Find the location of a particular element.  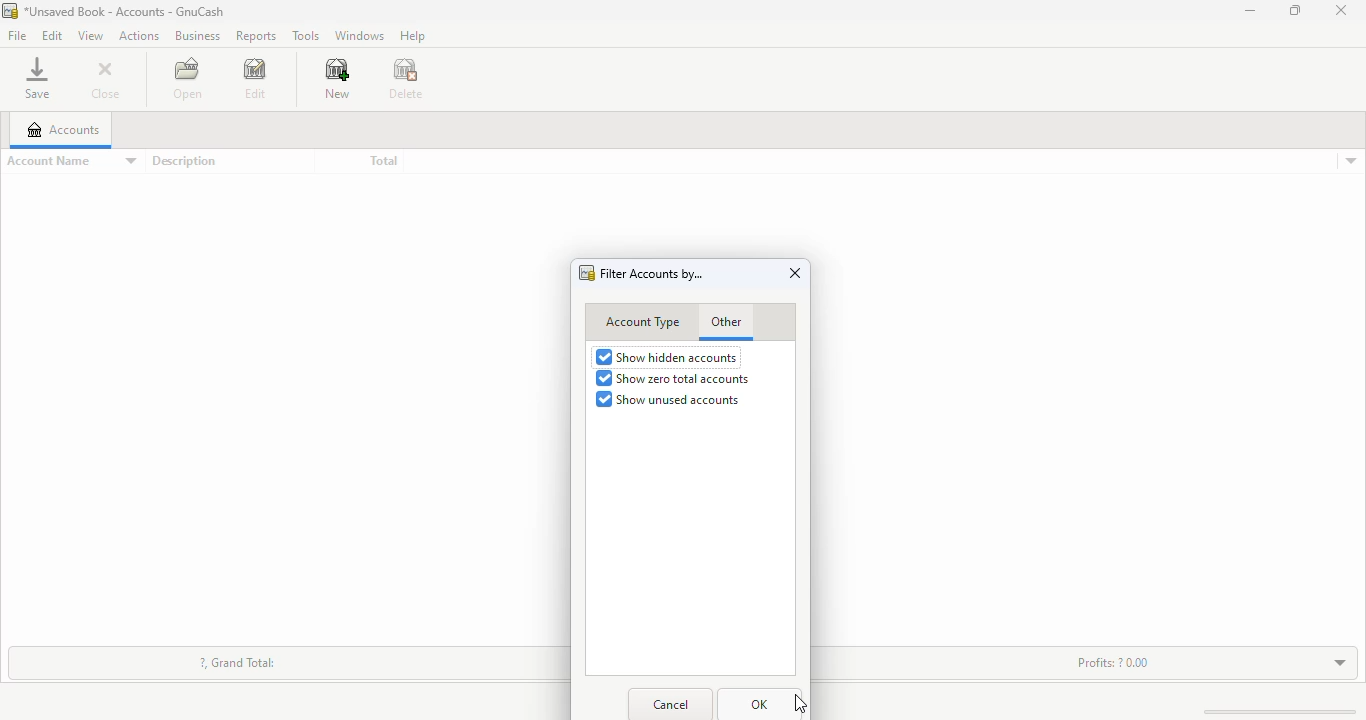

reports is located at coordinates (255, 37).